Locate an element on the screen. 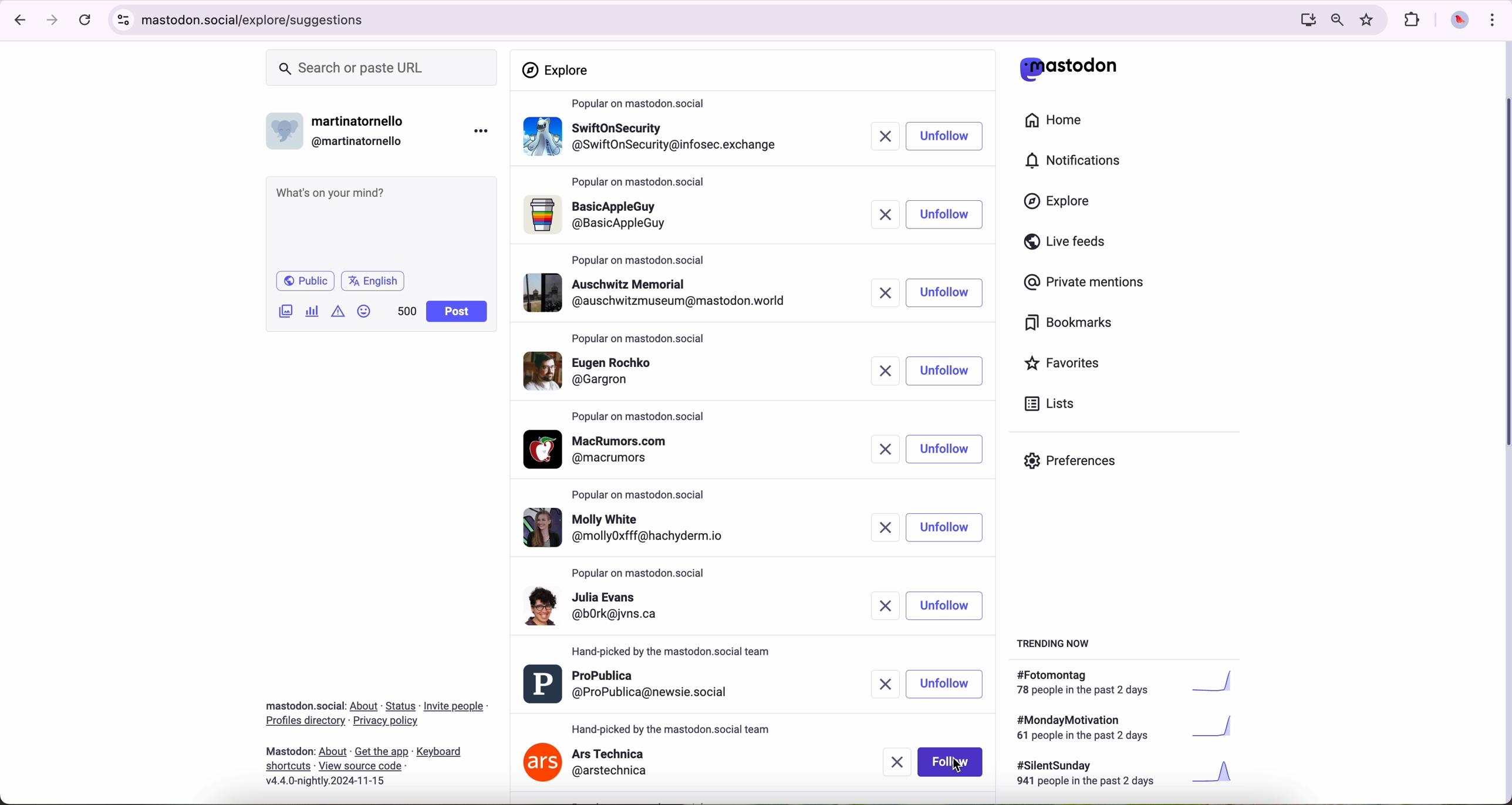  scroll bar is located at coordinates (1503, 268).